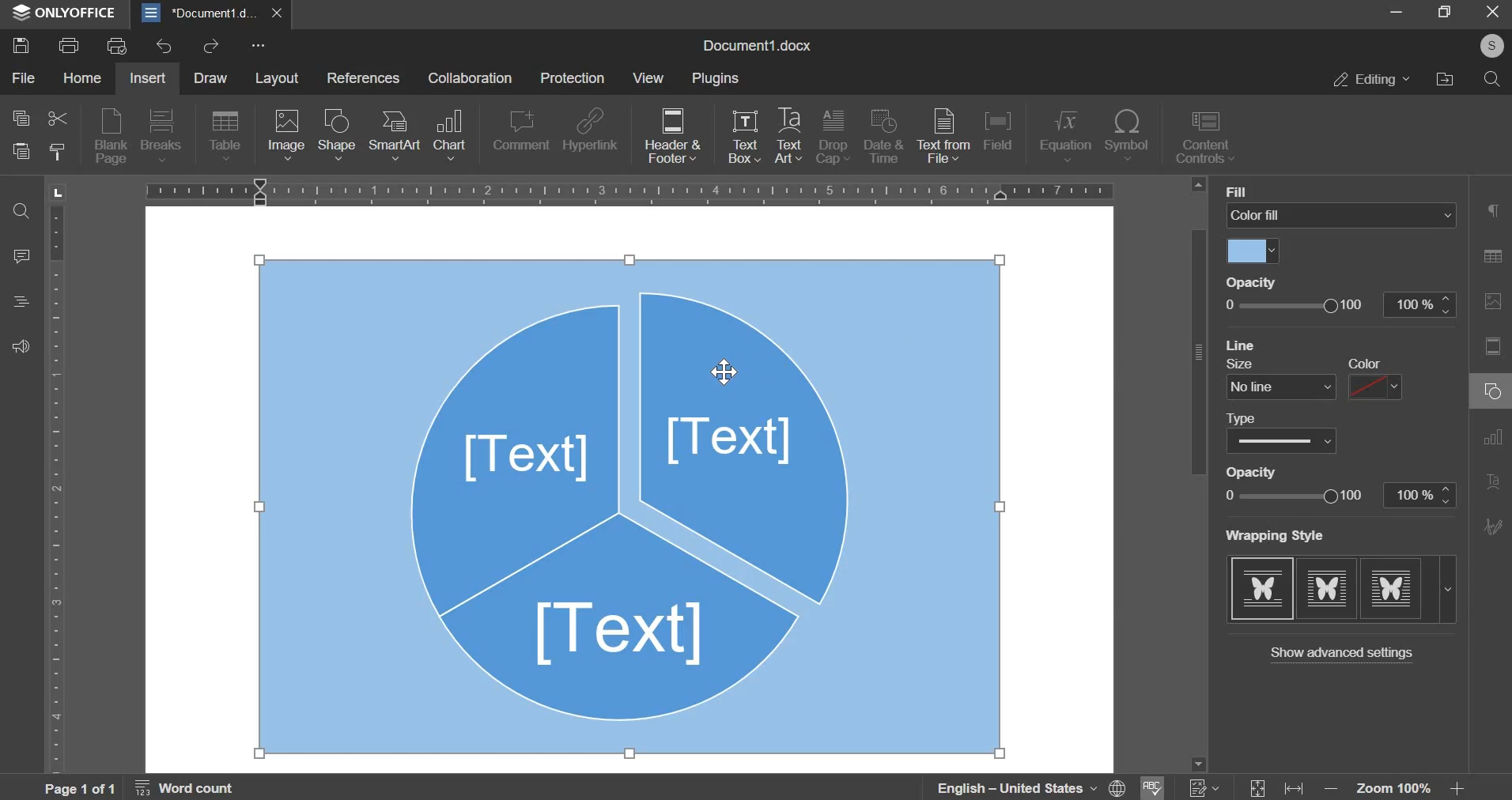 This screenshot has width=1512, height=800. Describe the element at coordinates (652, 80) in the screenshot. I see `view` at that location.